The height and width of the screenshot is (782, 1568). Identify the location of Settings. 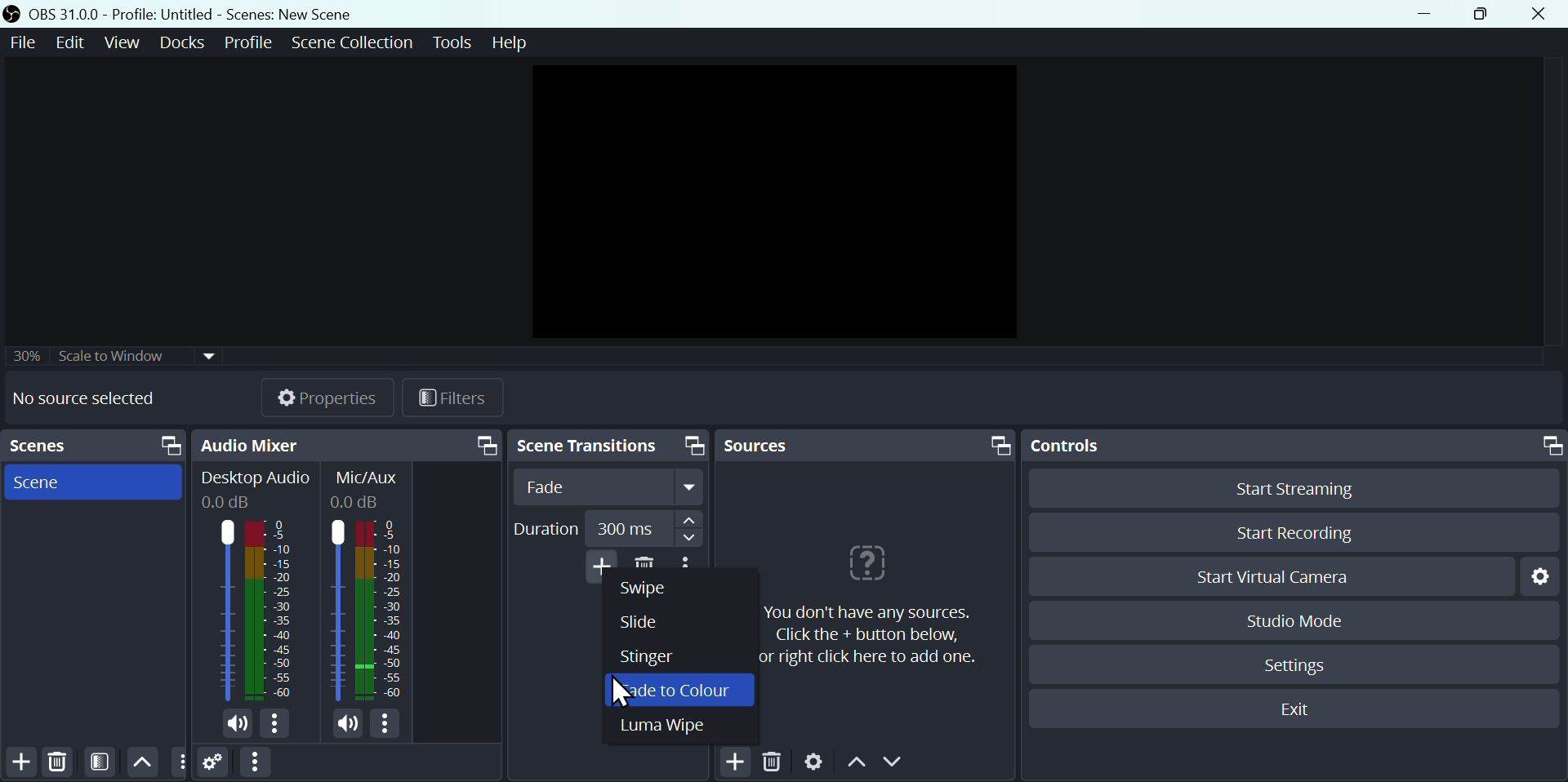
(1539, 575).